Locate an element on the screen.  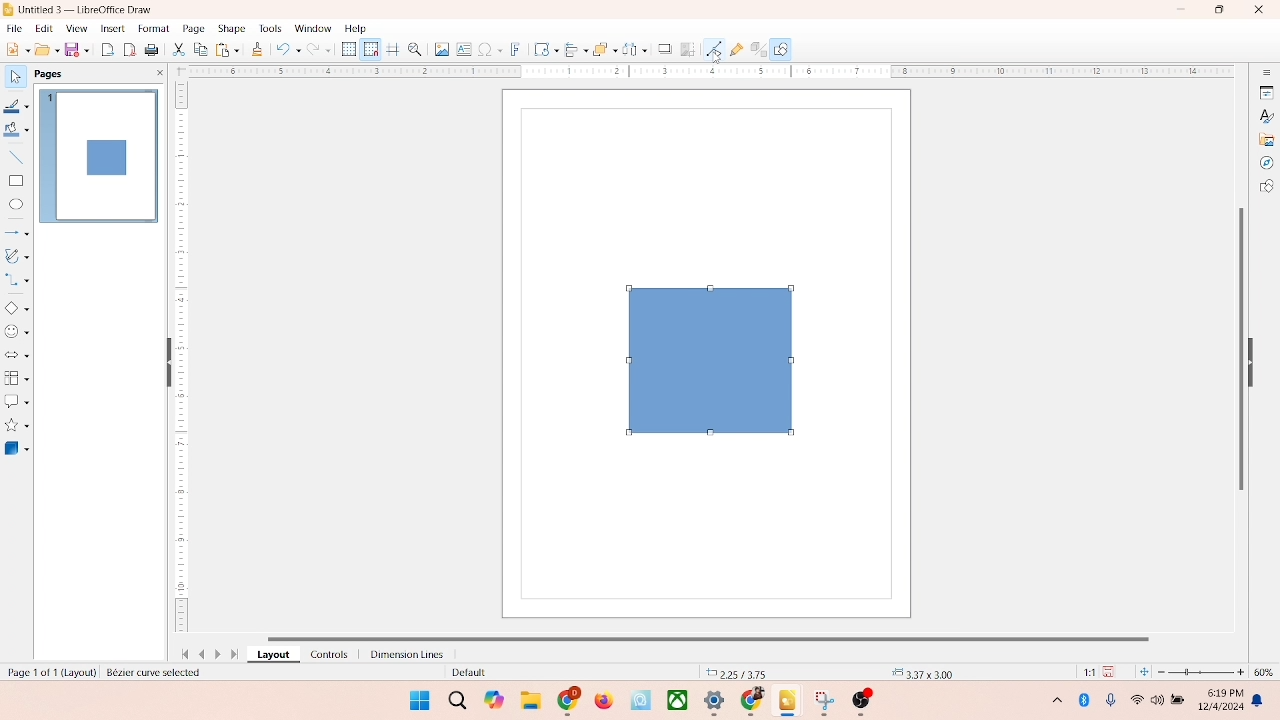
edit is located at coordinates (42, 29).